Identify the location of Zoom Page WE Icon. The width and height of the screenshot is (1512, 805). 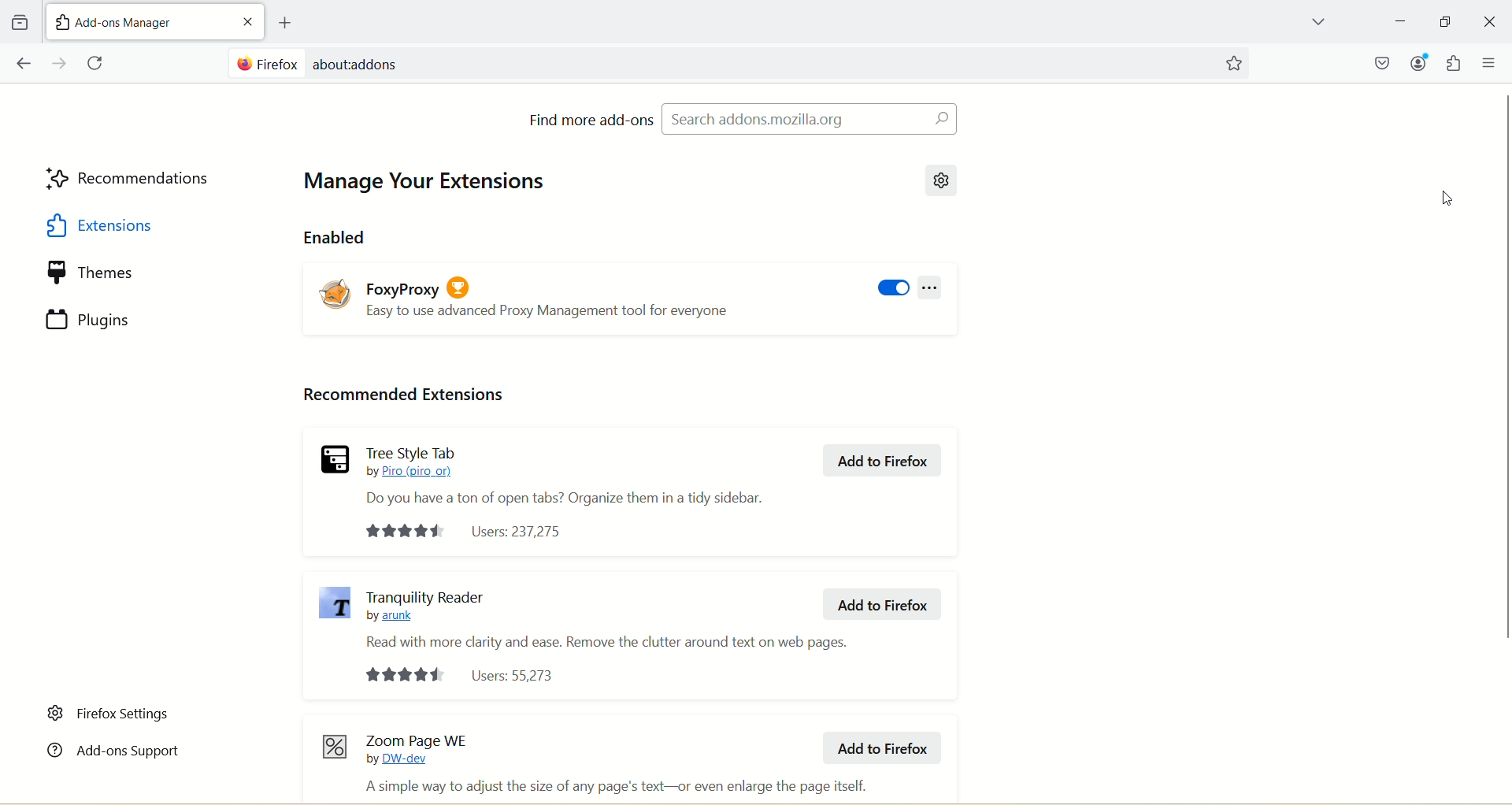
(334, 746).